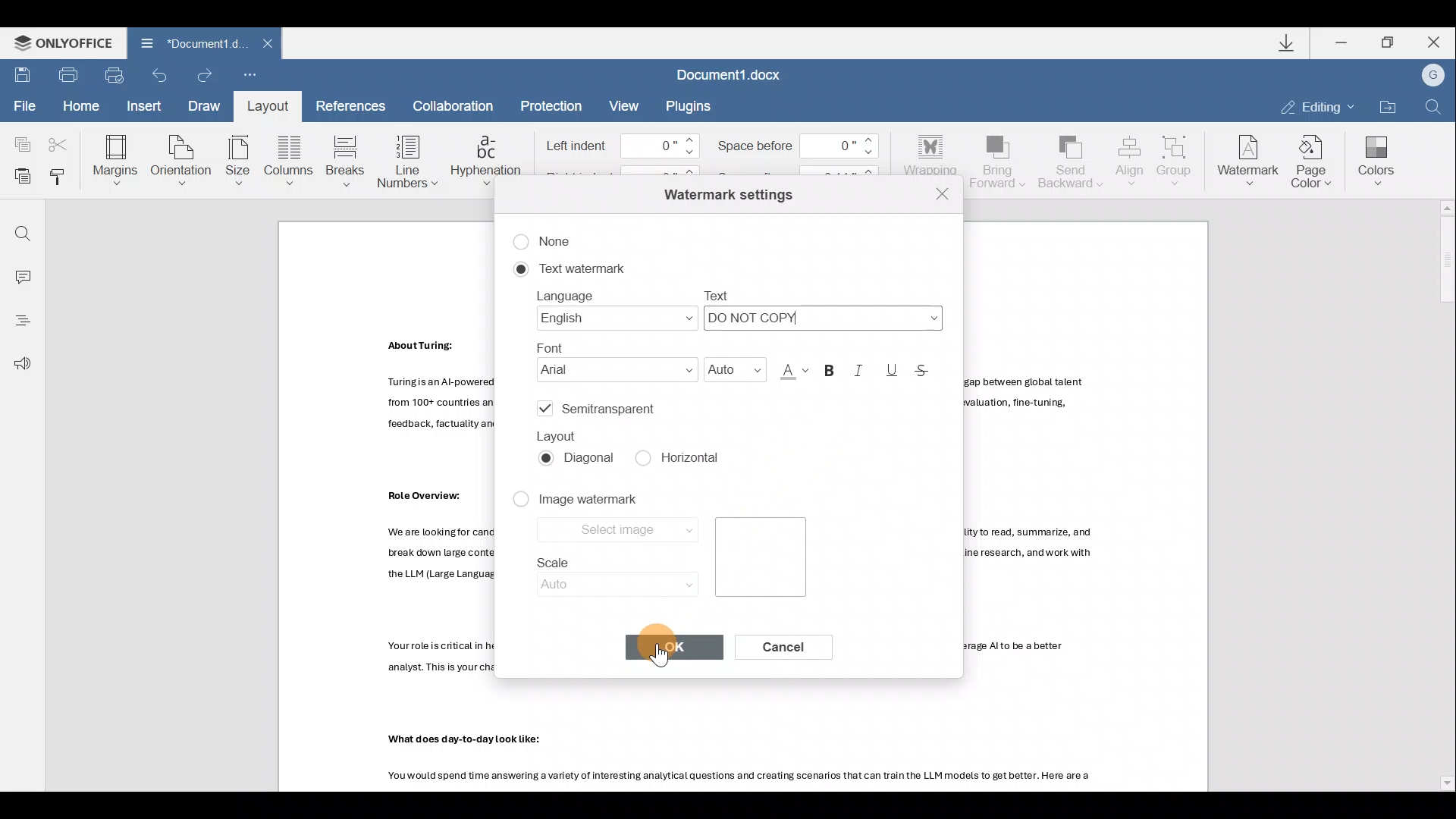 The height and width of the screenshot is (819, 1456). What do you see at coordinates (1179, 157) in the screenshot?
I see `Group` at bounding box center [1179, 157].